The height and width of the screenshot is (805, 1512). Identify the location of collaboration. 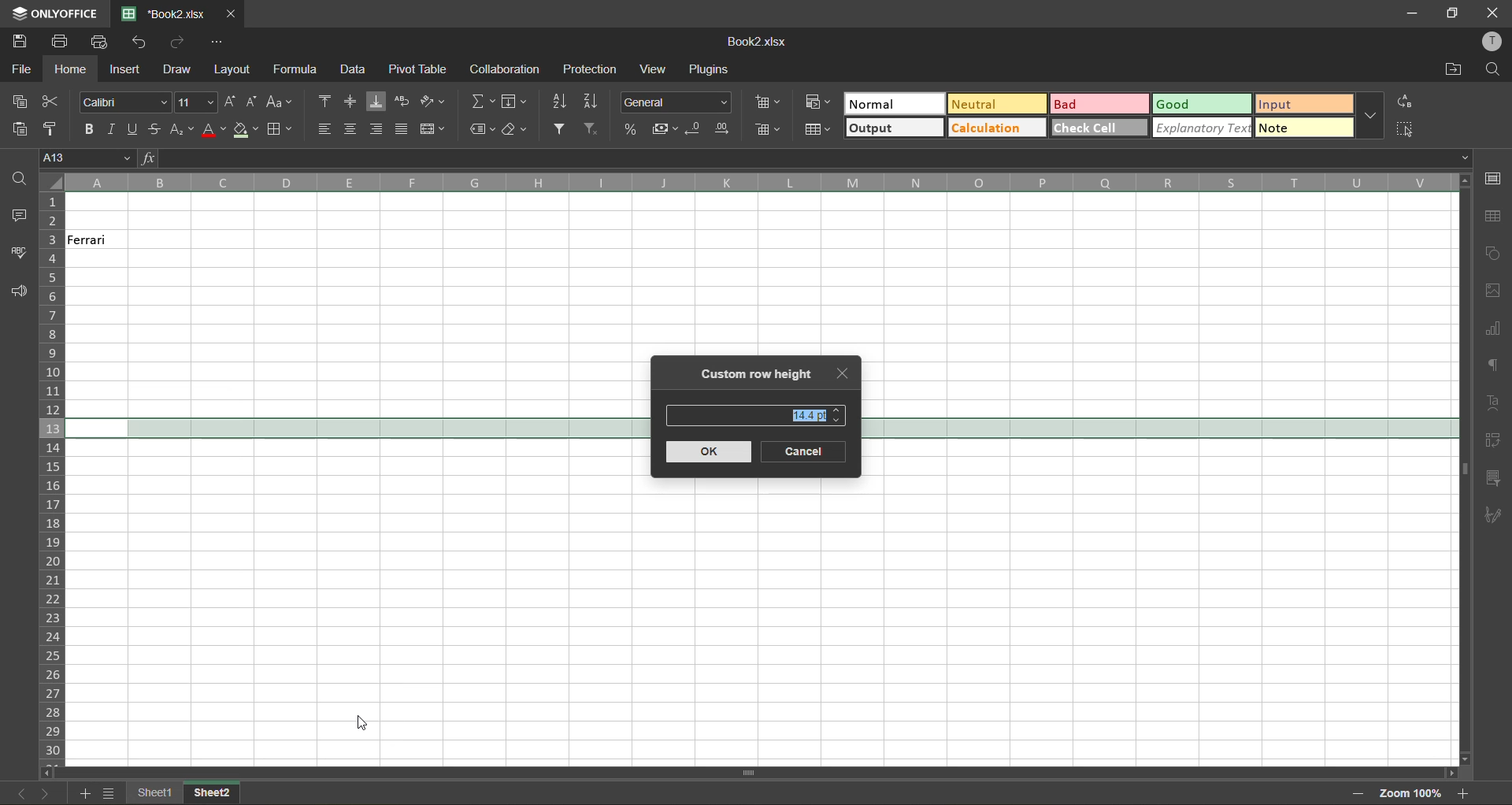
(504, 68).